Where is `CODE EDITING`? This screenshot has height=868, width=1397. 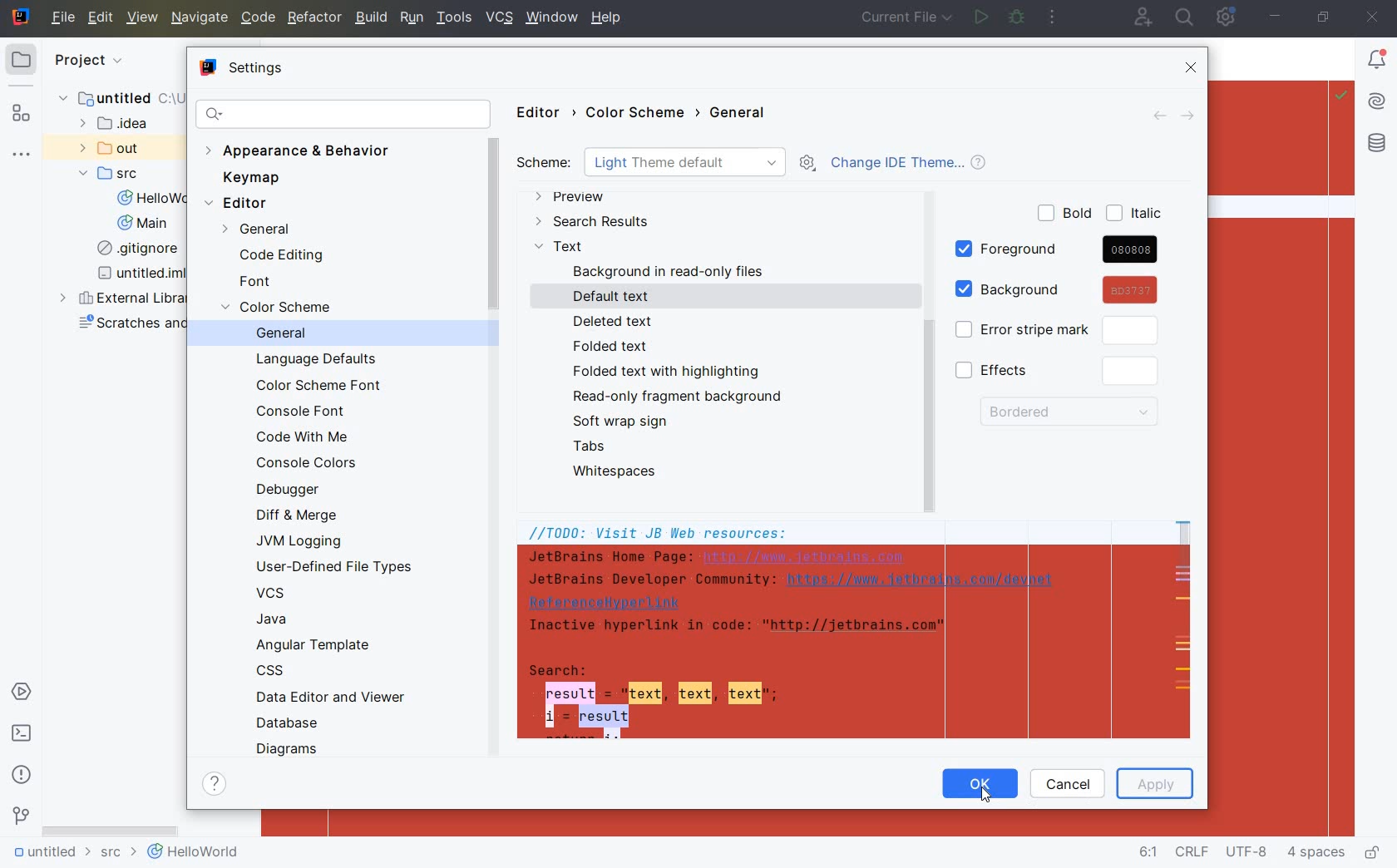 CODE EDITING is located at coordinates (280, 257).